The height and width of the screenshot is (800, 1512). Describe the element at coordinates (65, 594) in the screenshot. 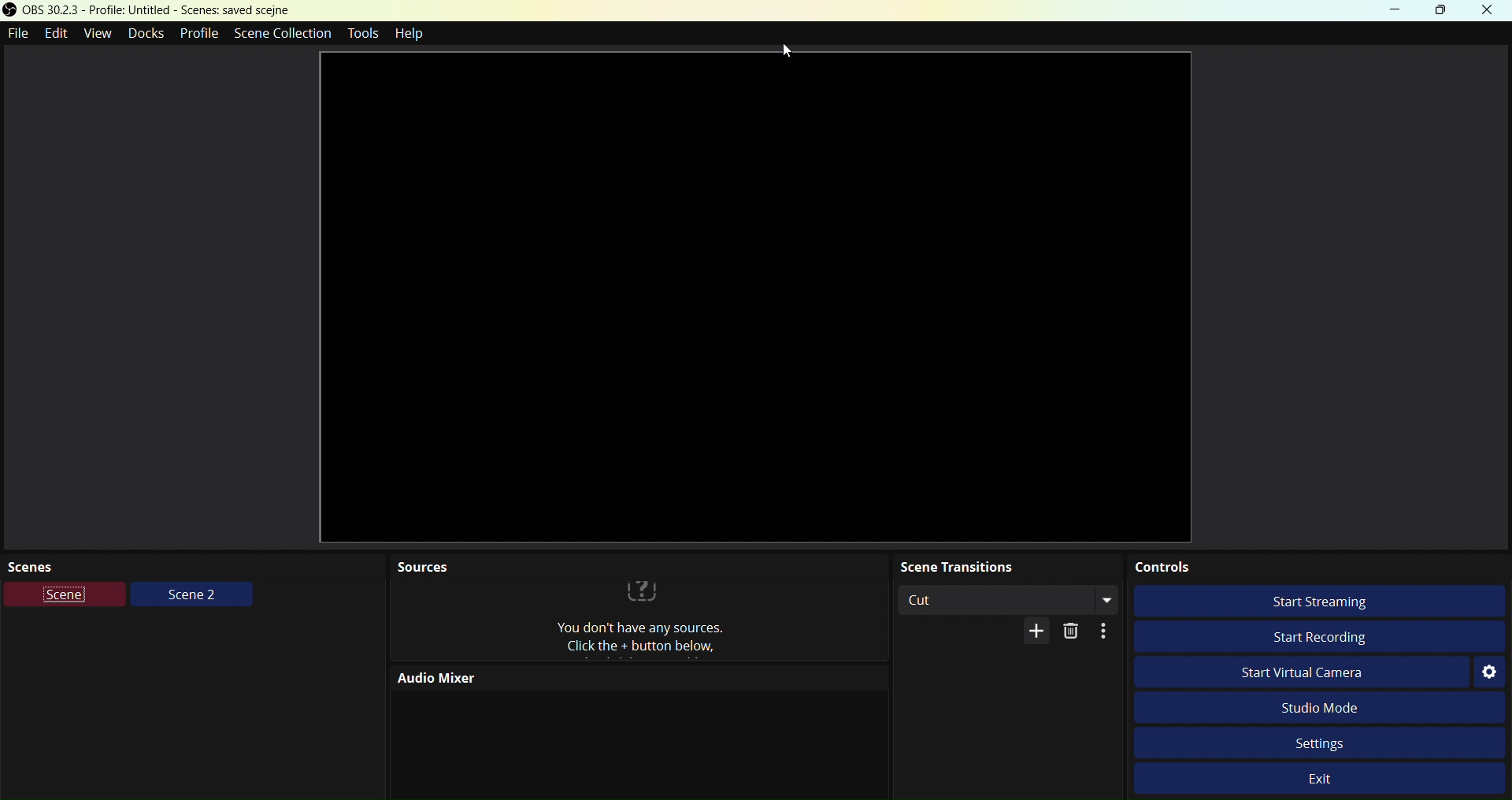

I see `Scene` at that location.